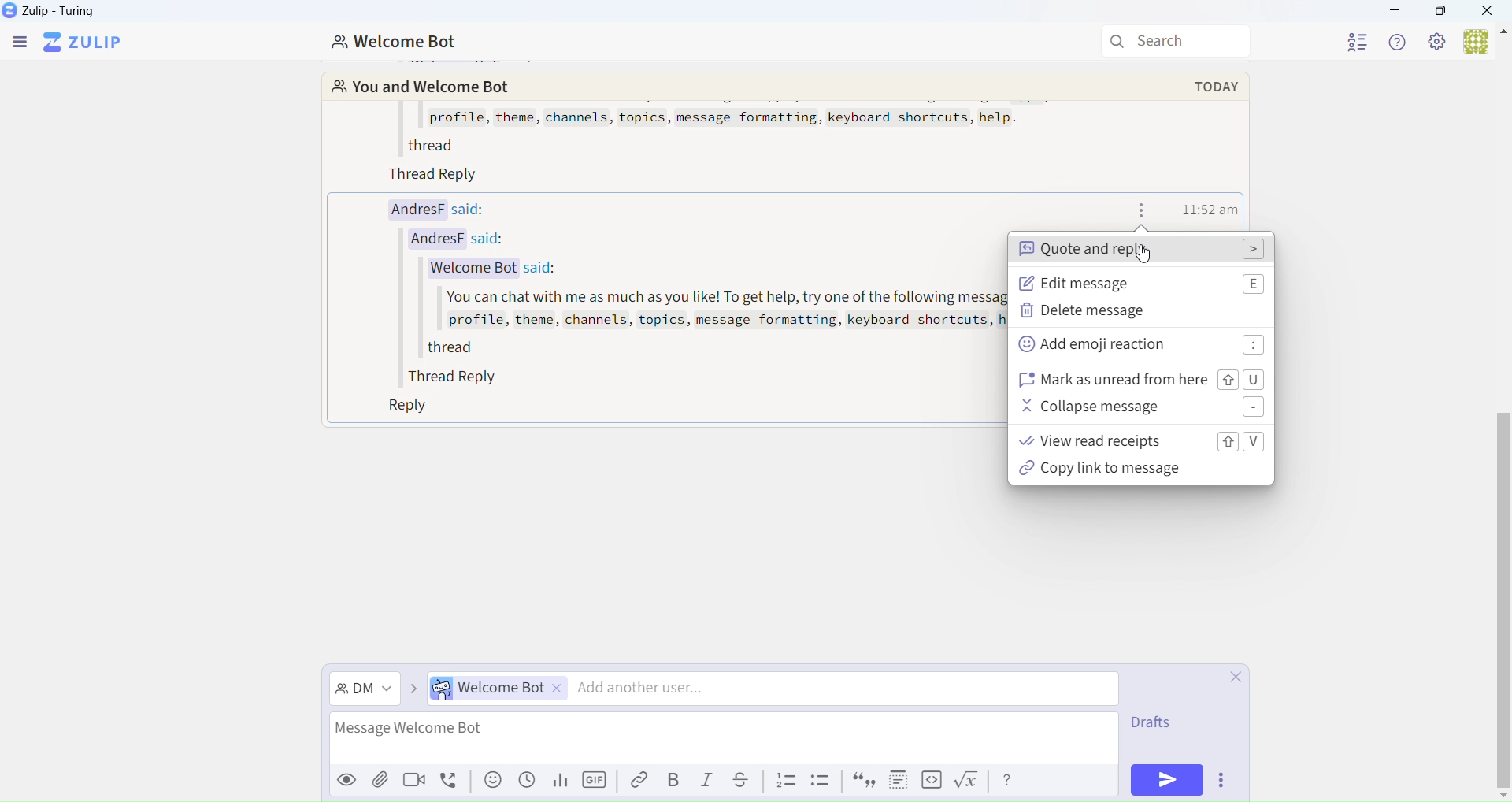 This screenshot has height=802, width=1512. I want to click on quote, so click(863, 782).